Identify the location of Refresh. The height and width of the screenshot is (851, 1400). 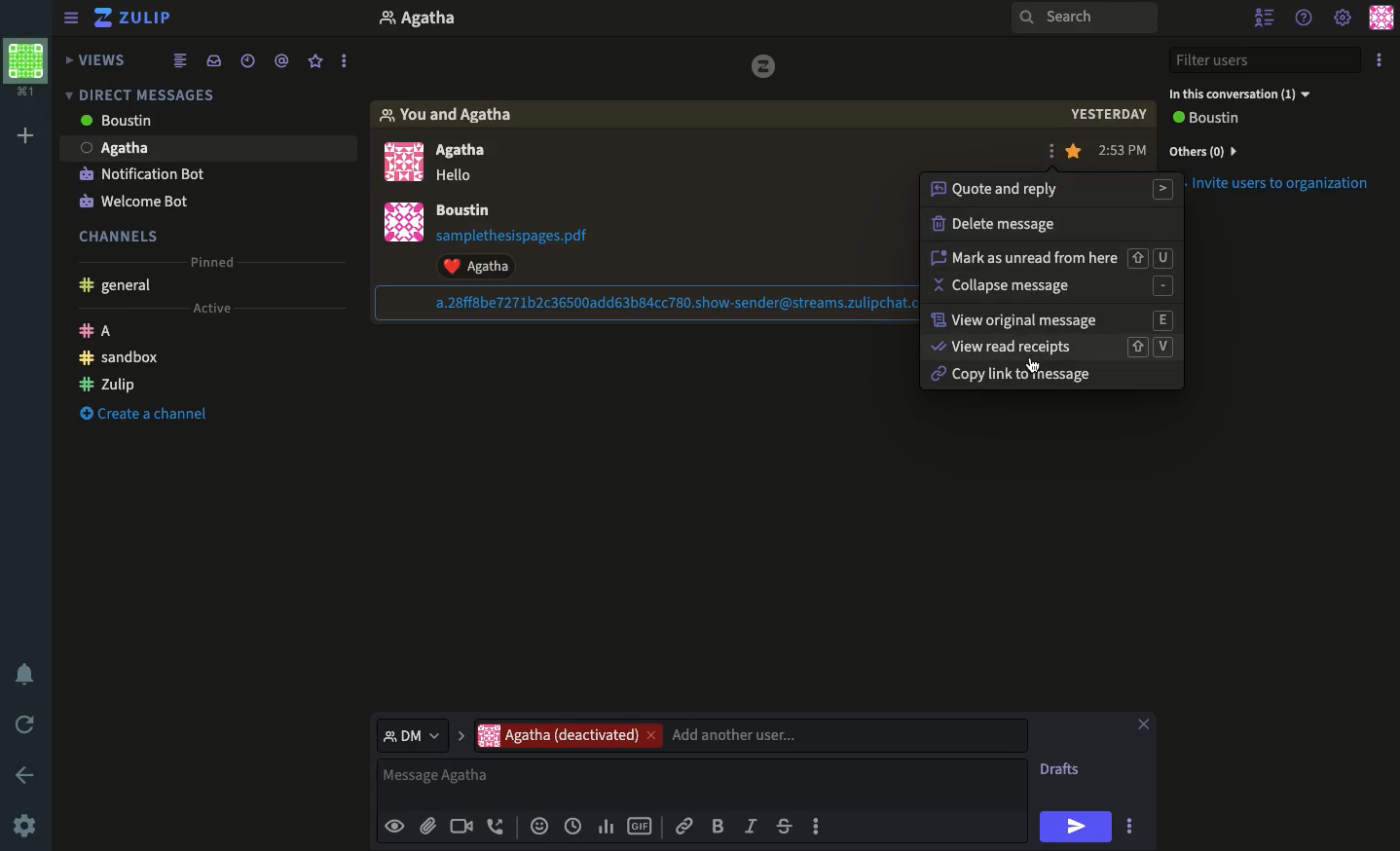
(28, 722).